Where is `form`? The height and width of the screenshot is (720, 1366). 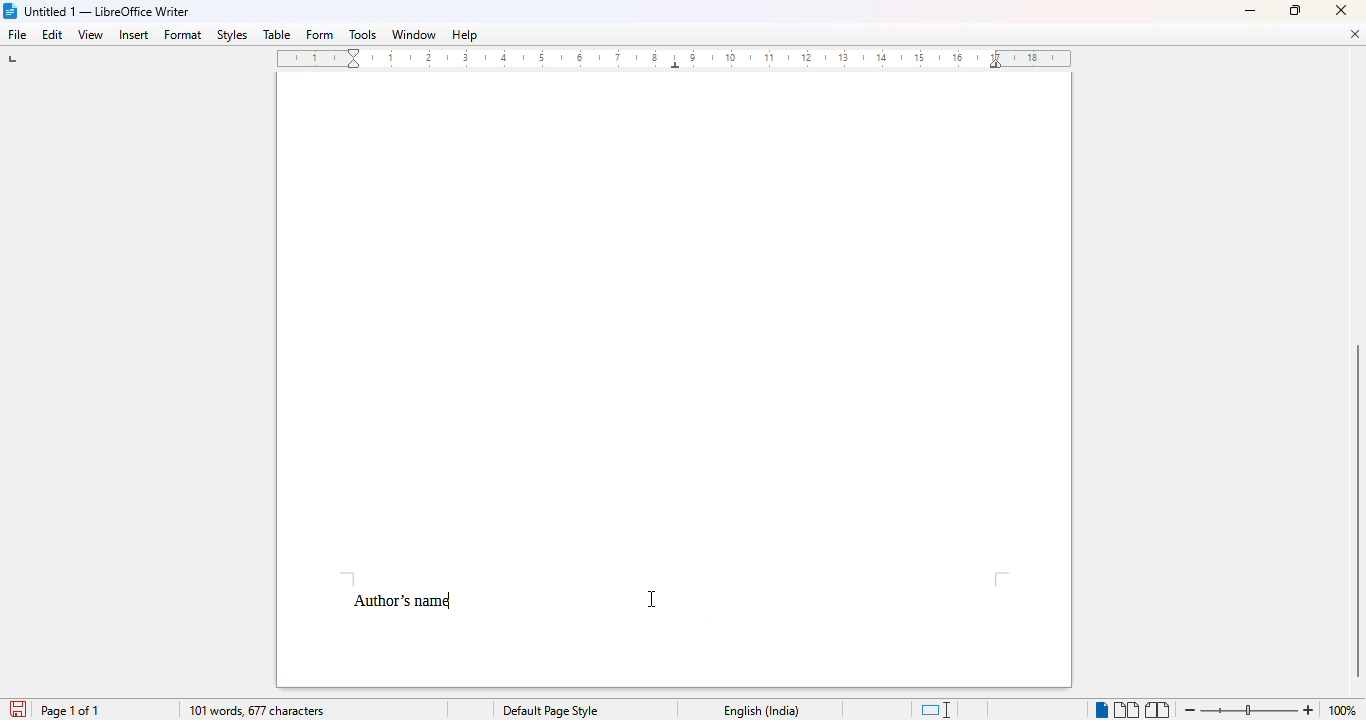
form is located at coordinates (319, 35).